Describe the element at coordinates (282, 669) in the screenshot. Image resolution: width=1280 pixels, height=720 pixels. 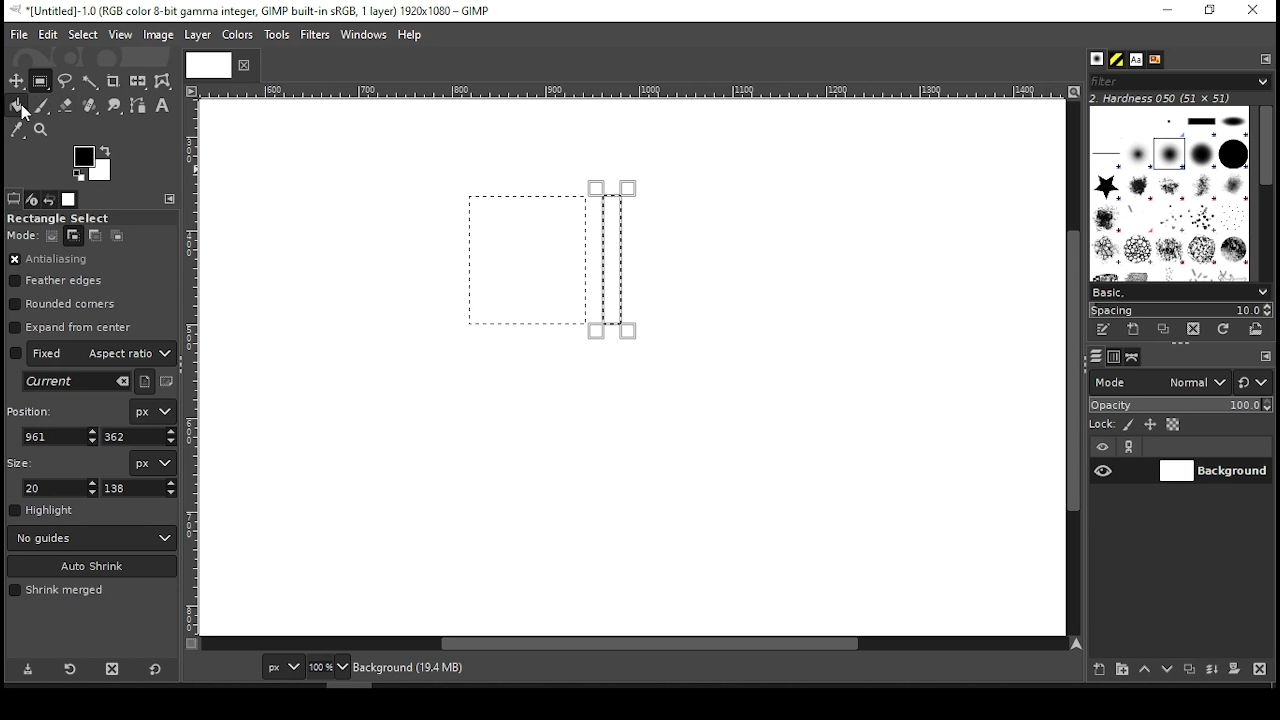
I see `px` at that location.